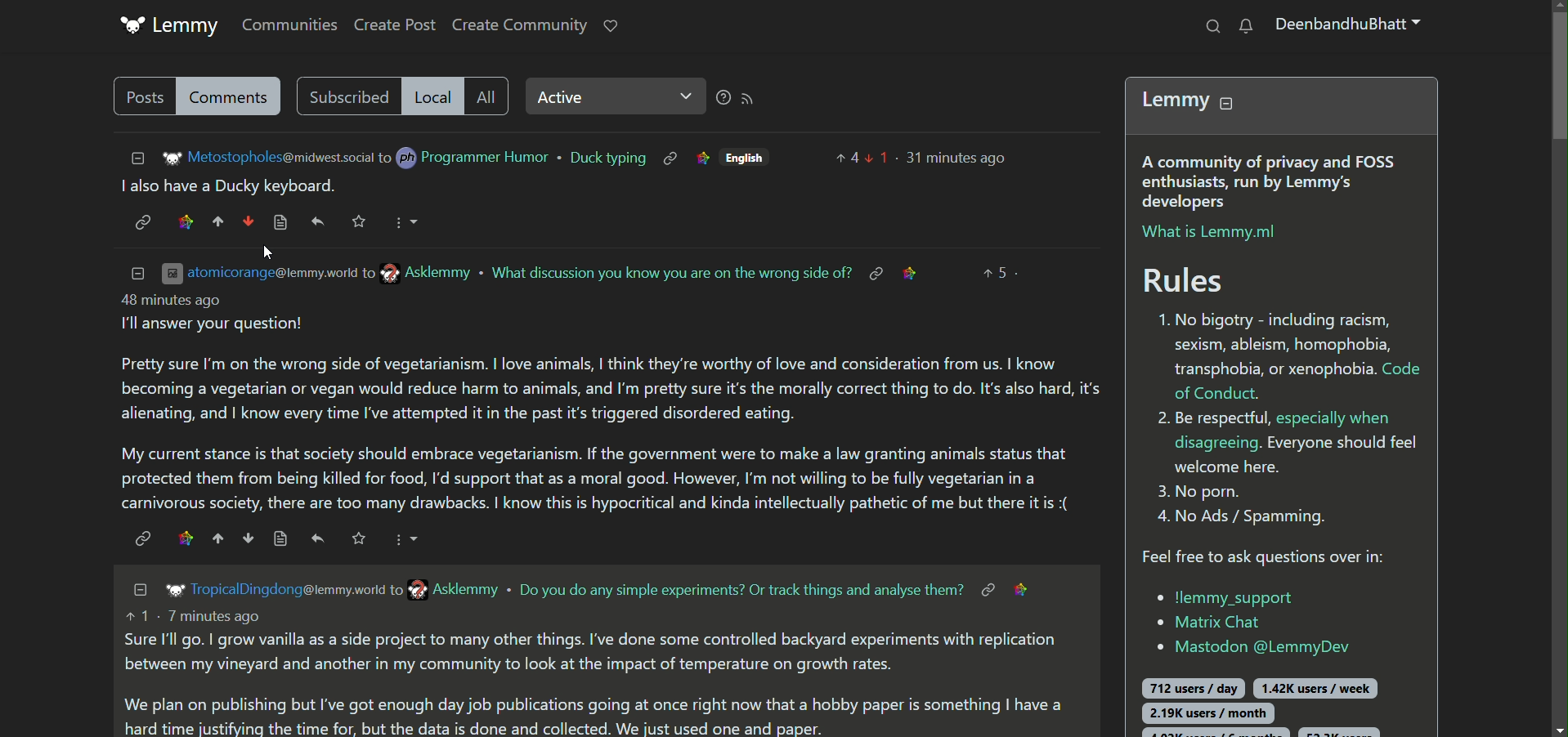 Image resolution: width=1568 pixels, height=737 pixels. I want to click on highlight, so click(915, 271).